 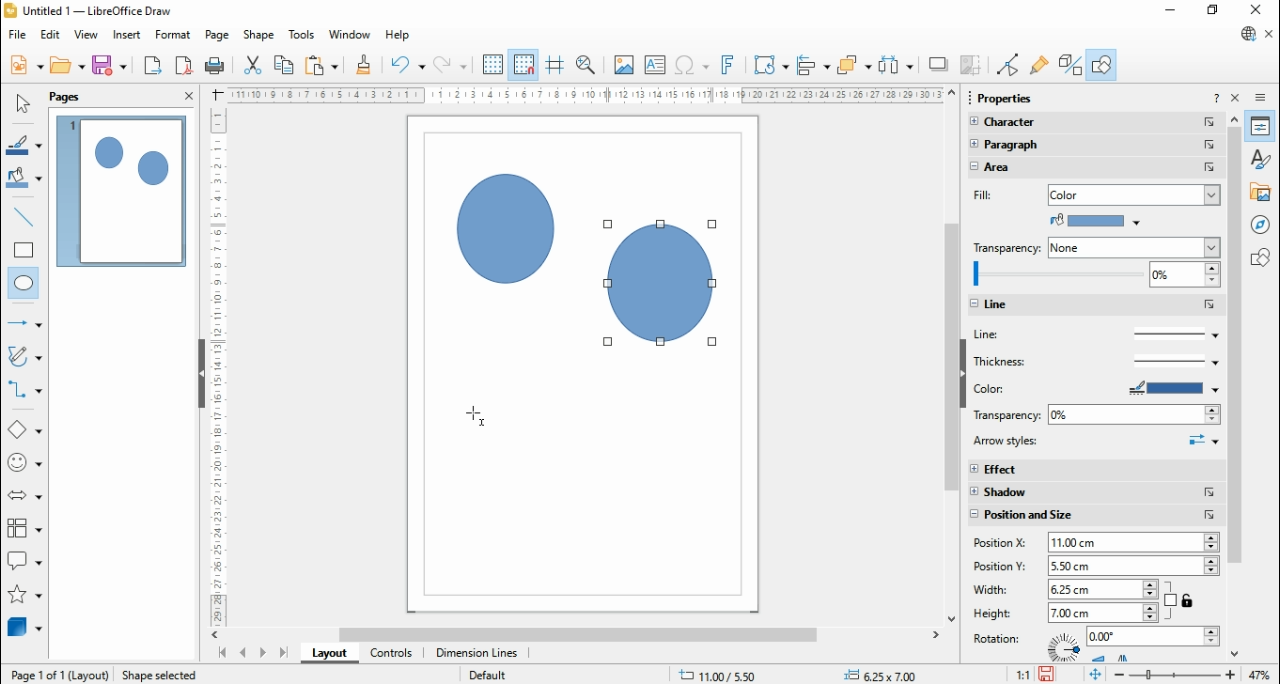 What do you see at coordinates (1134, 566) in the screenshot?
I see `2.50cm ` at bounding box center [1134, 566].